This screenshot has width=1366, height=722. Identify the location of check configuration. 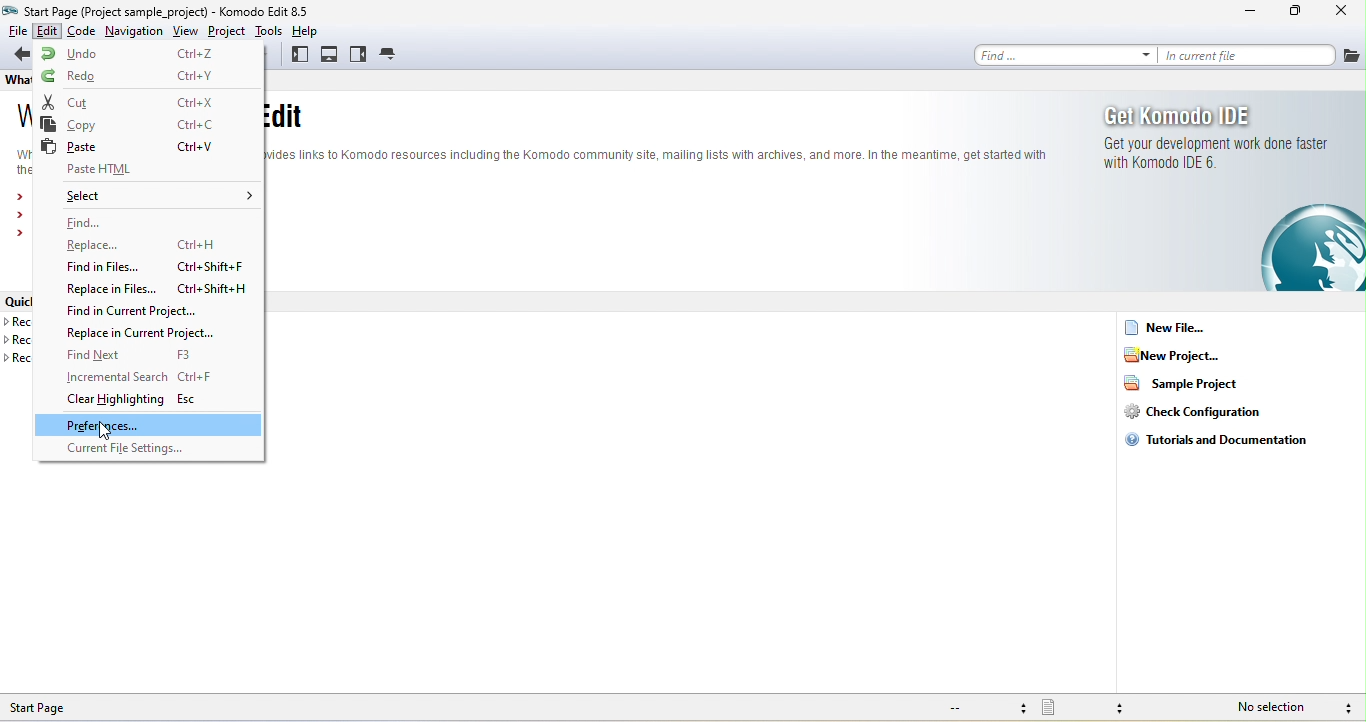
(1202, 414).